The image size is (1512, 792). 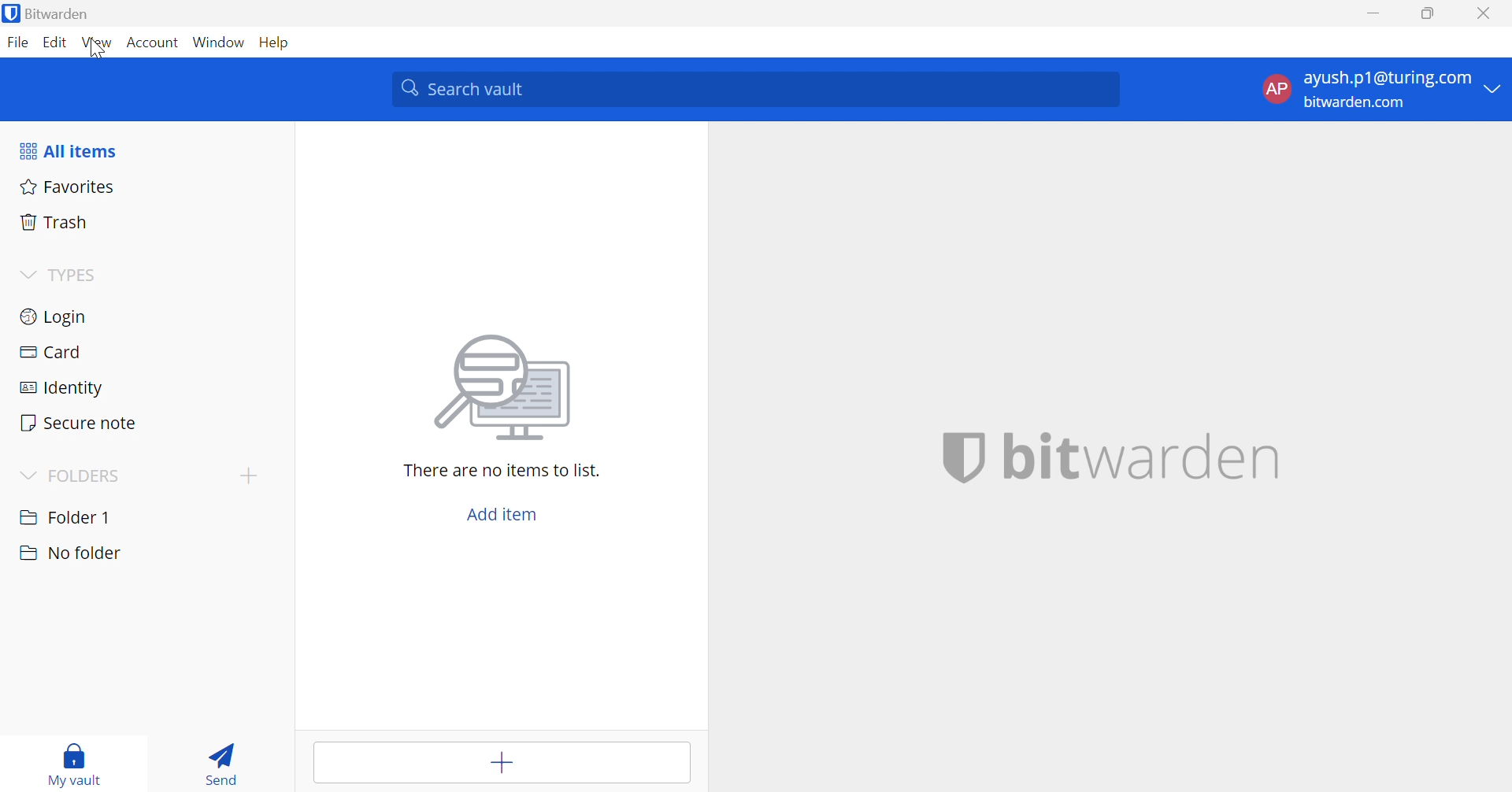 What do you see at coordinates (1142, 459) in the screenshot?
I see `bitwarden` at bounding box center [1142, 459].